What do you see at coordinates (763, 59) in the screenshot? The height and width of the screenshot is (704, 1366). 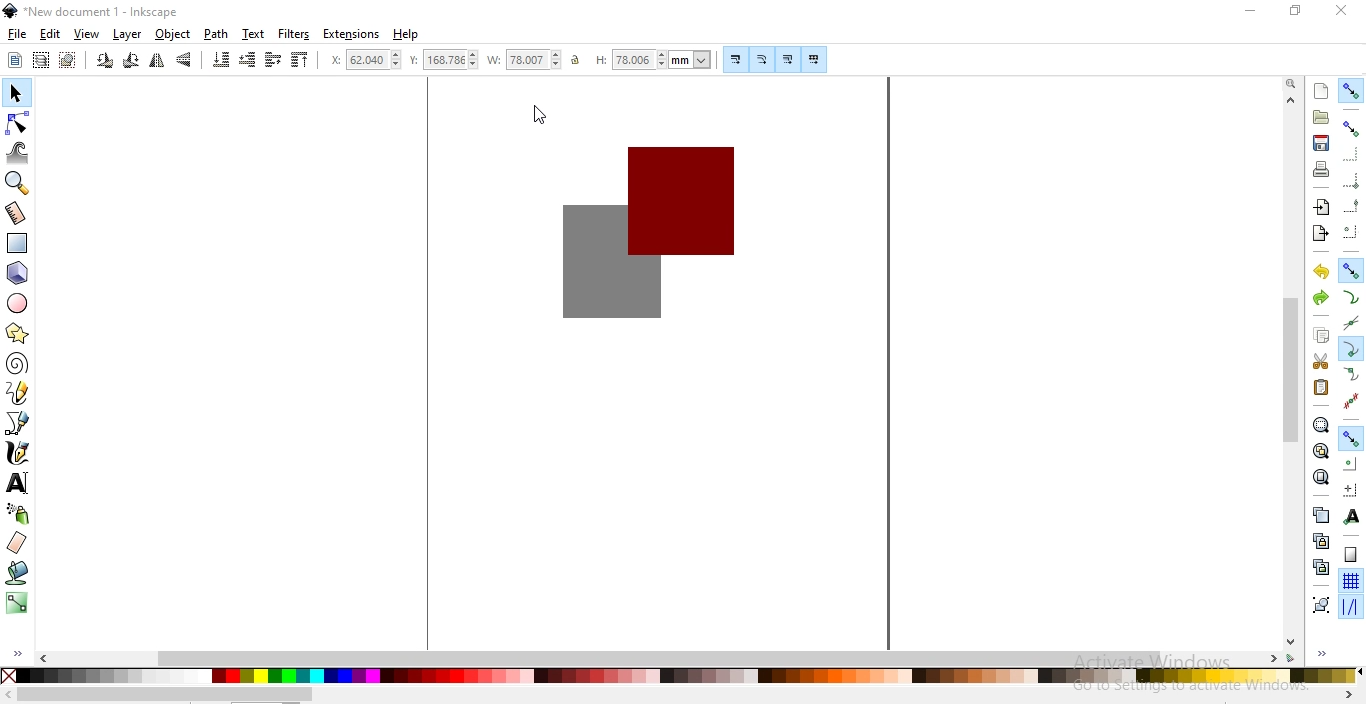 I see `scale radii of rounded corners` at bounding box center [763, 59].